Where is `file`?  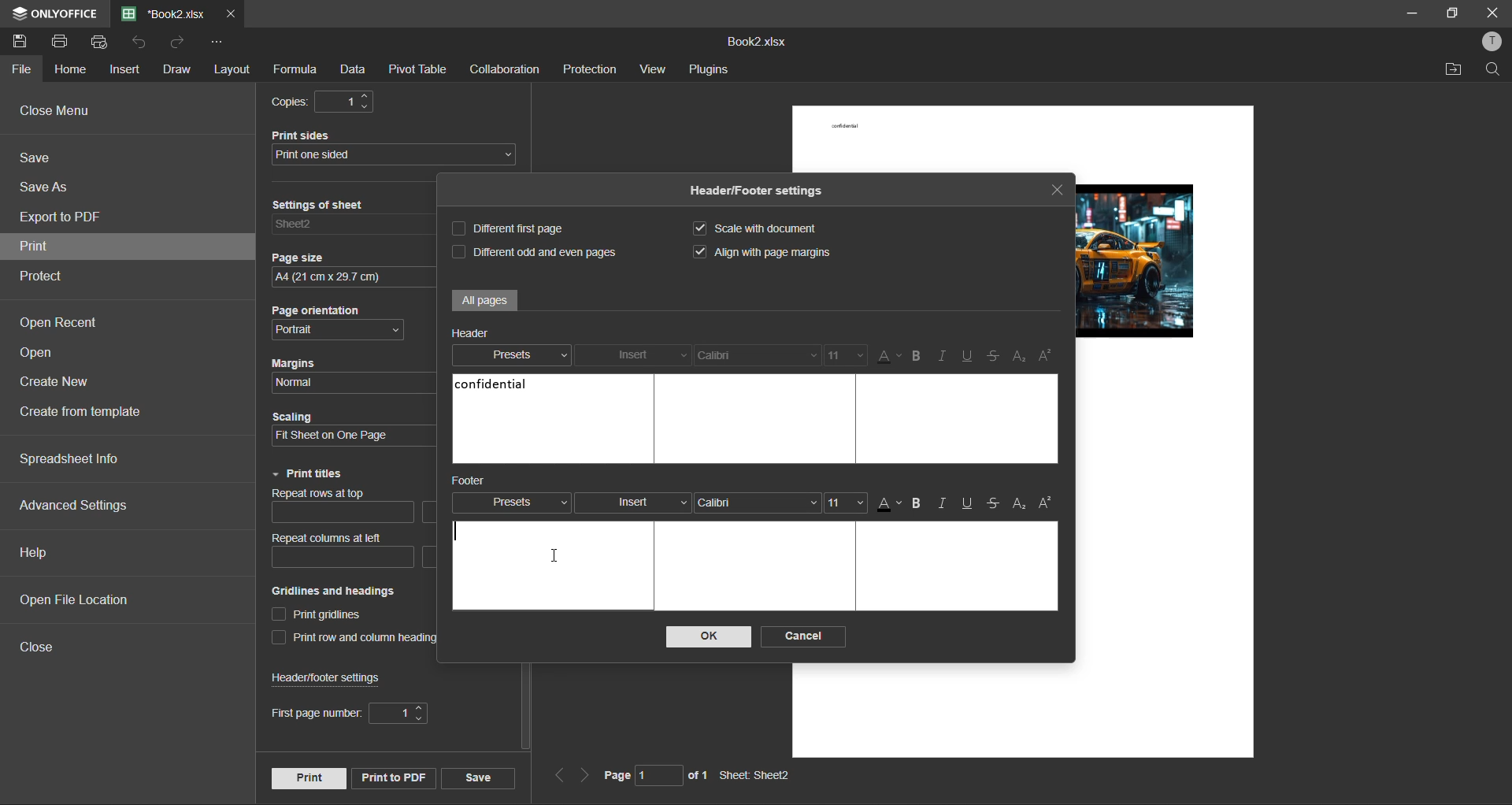 file is located at coordinates (20, 70).